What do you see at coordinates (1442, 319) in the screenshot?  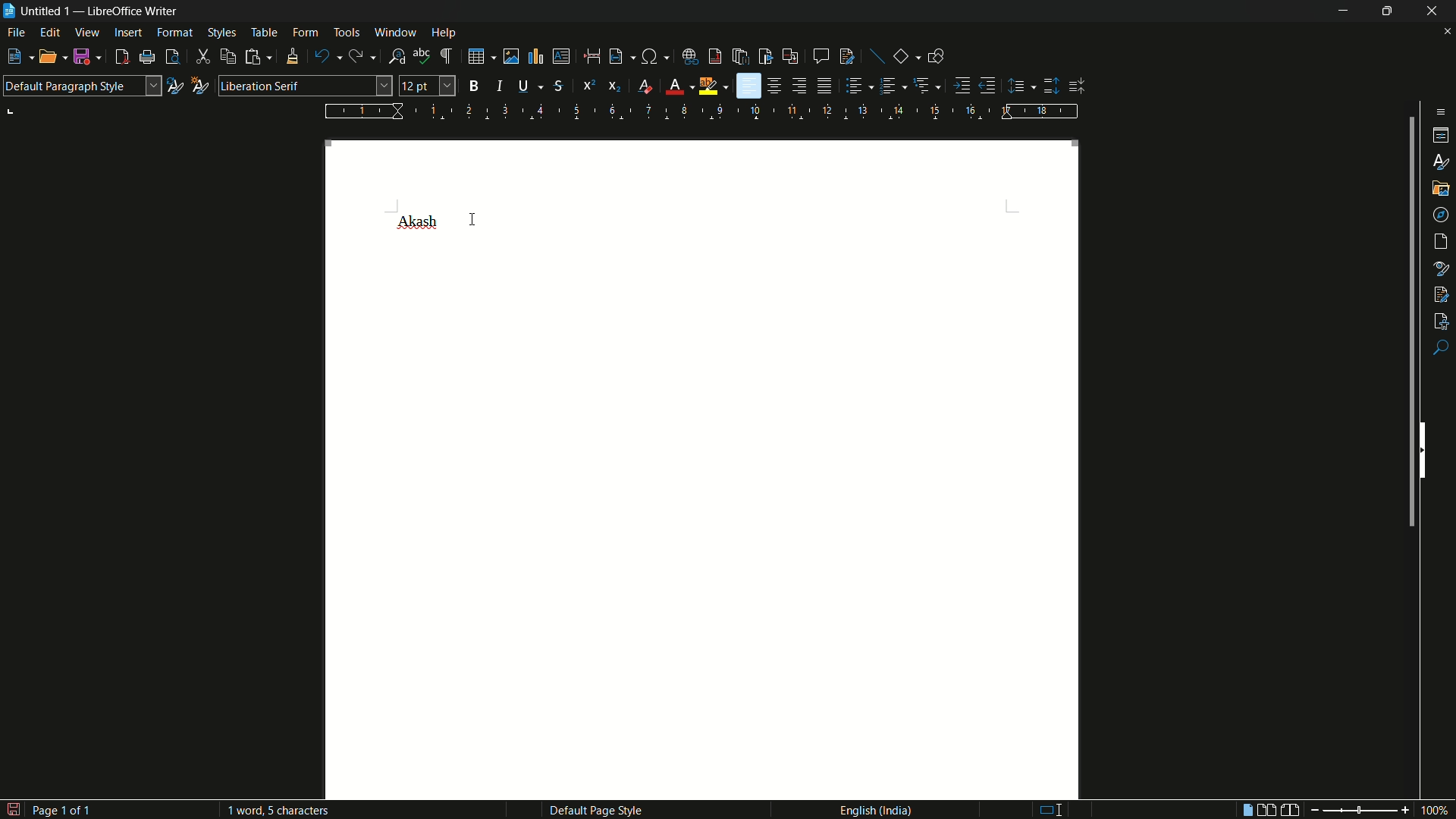 I see `accessibility check` at bounding box center [1442, 319].